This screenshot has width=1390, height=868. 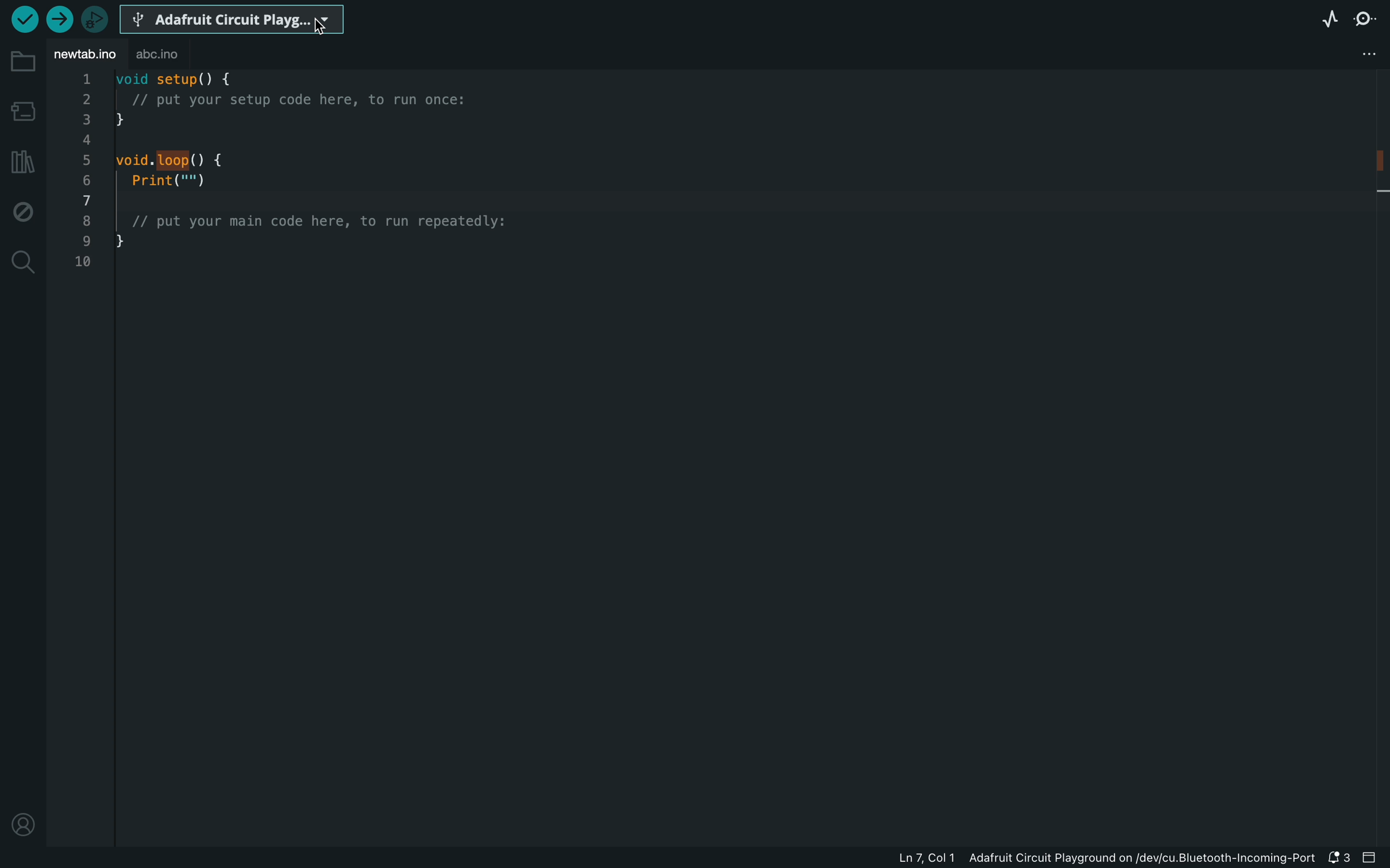 I want to click on abc, so click(x=159, y=55).